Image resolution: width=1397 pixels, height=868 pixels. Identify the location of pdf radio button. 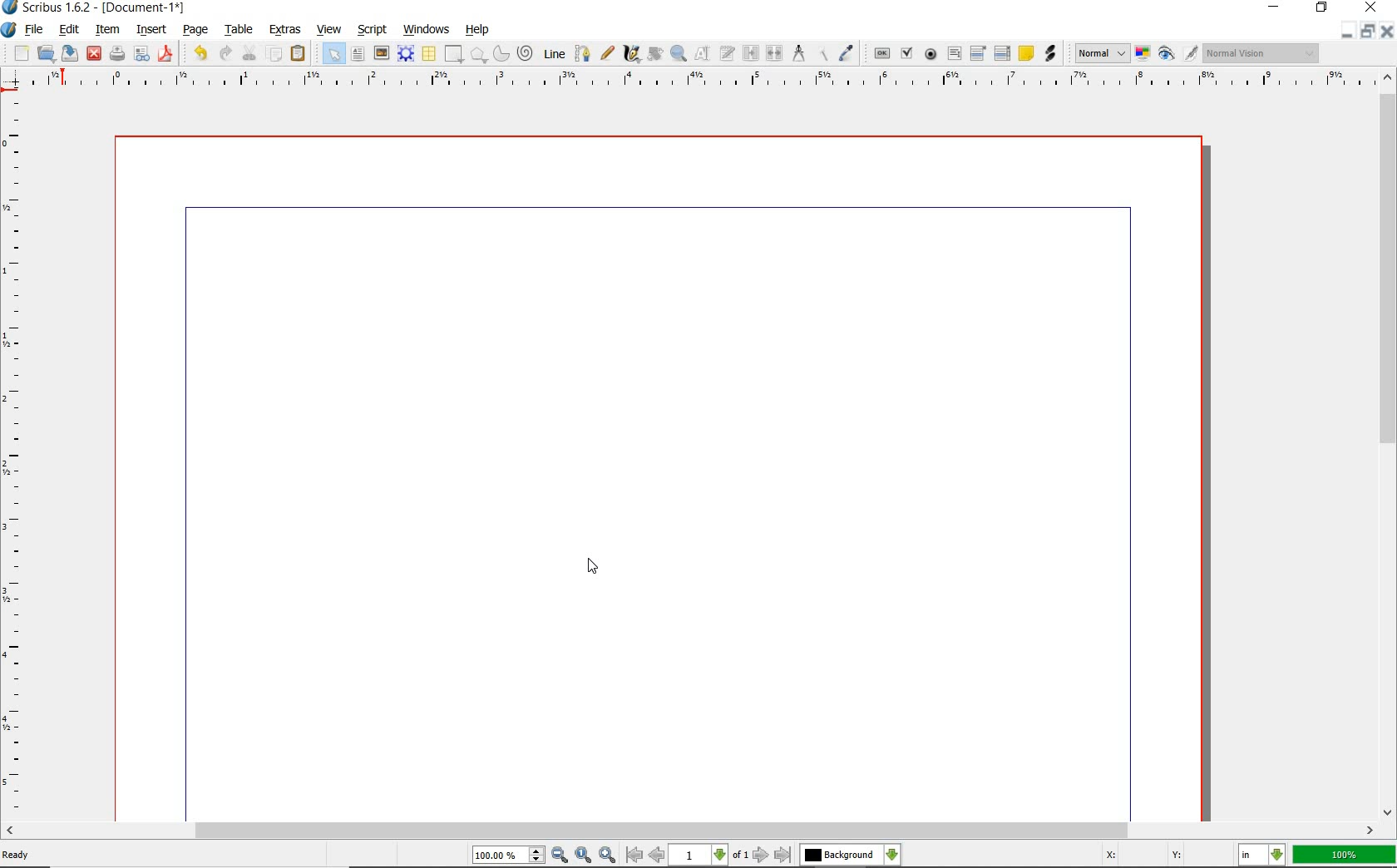
(931, 55).